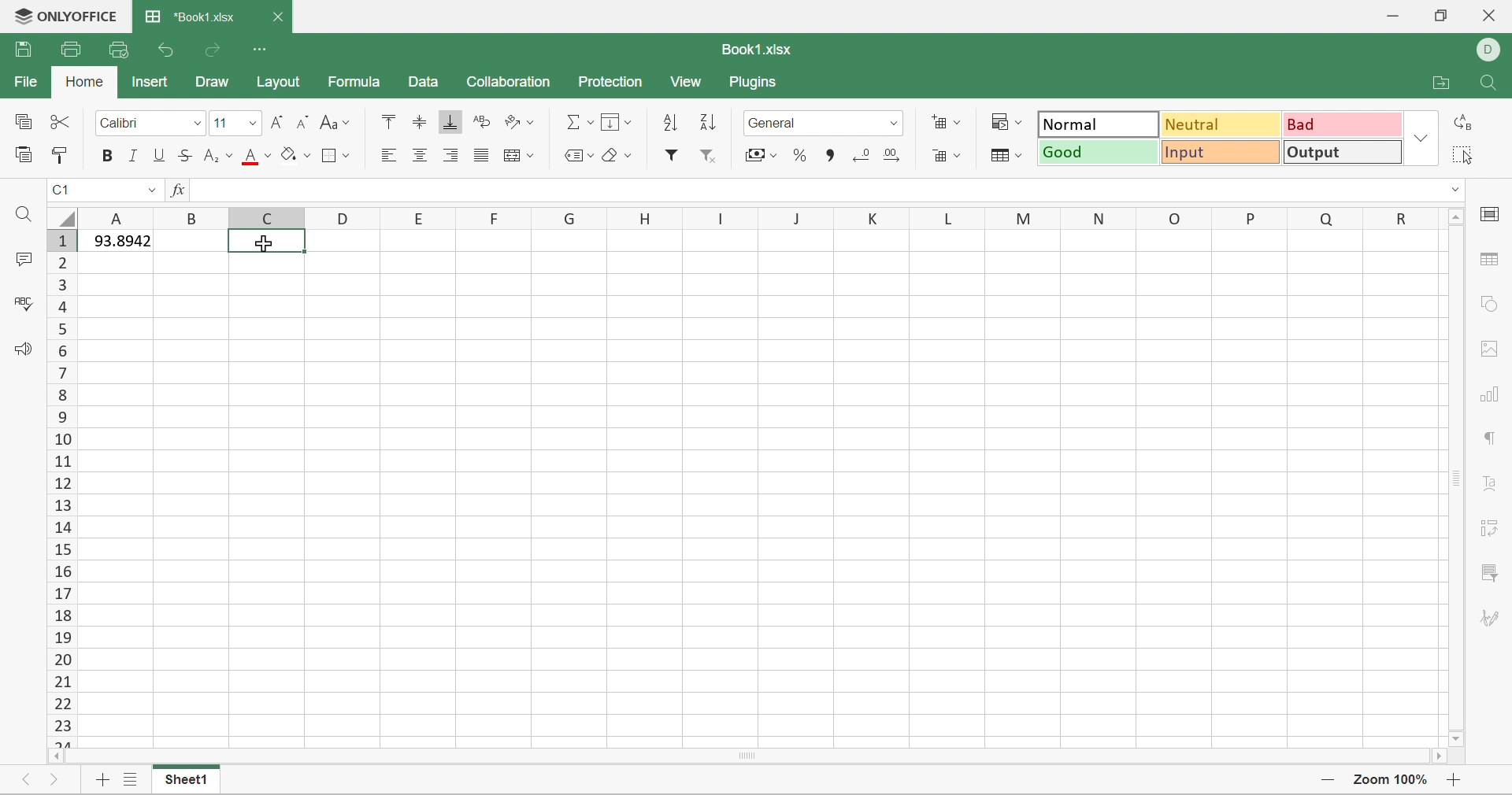  I want to click on cell settings, so click(1492, 211).